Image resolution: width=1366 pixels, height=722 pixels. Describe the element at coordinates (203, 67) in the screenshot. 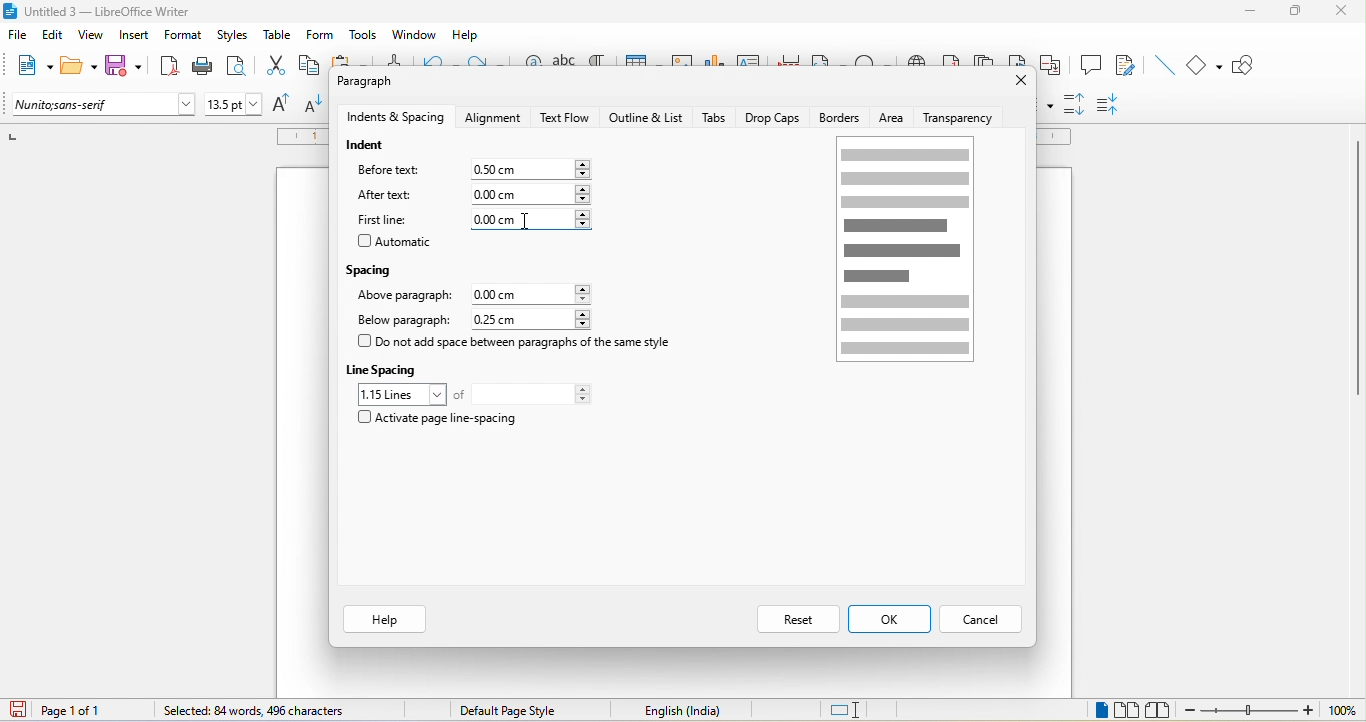

I see `print` at that location.